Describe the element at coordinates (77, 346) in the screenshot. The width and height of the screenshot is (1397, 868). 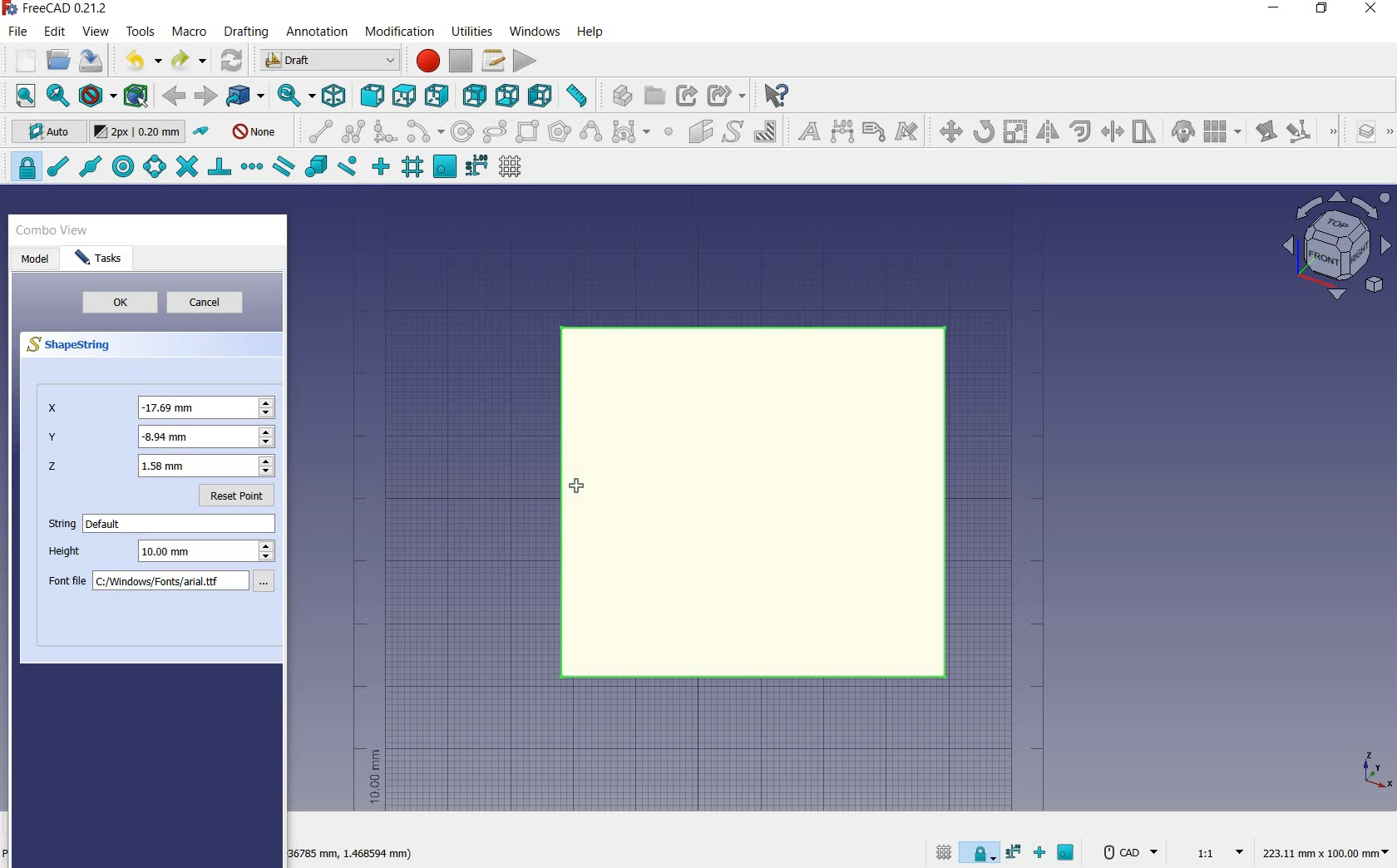
I see `ShapeString` at that location.